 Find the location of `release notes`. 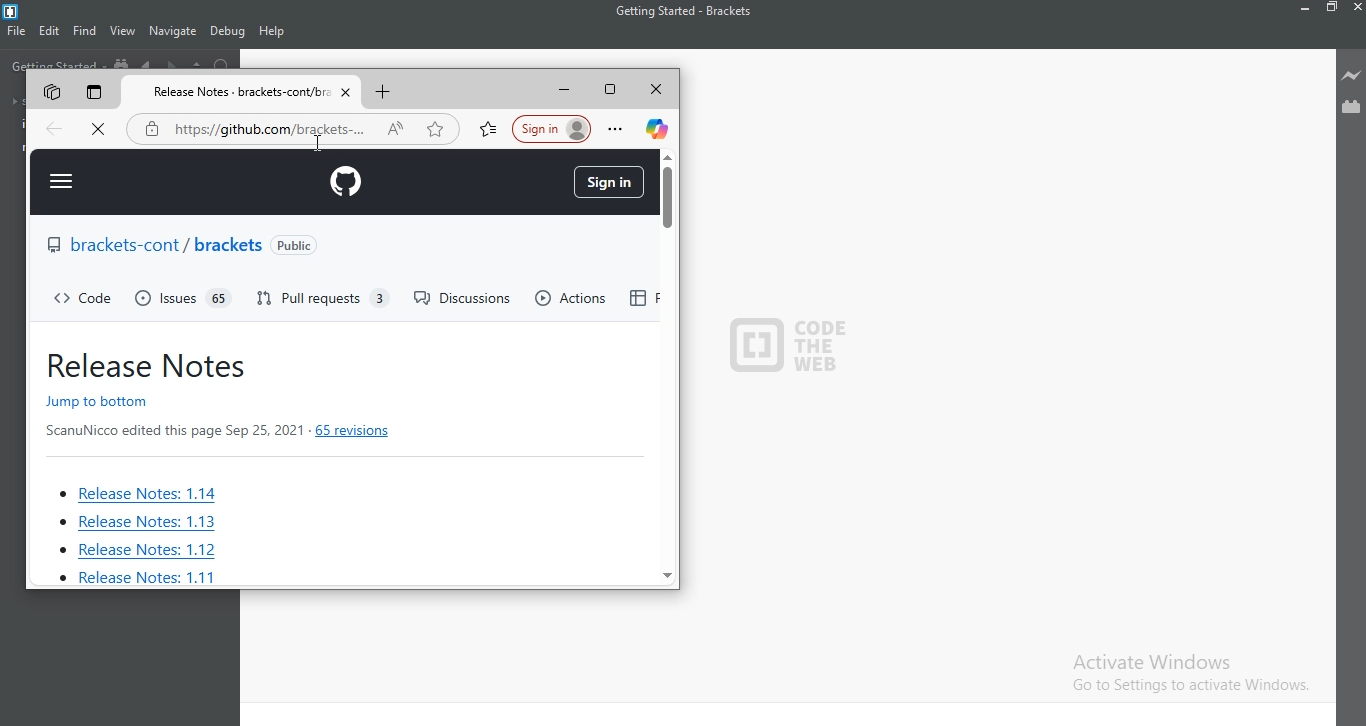

release notes is located at coordinates (152, 363).